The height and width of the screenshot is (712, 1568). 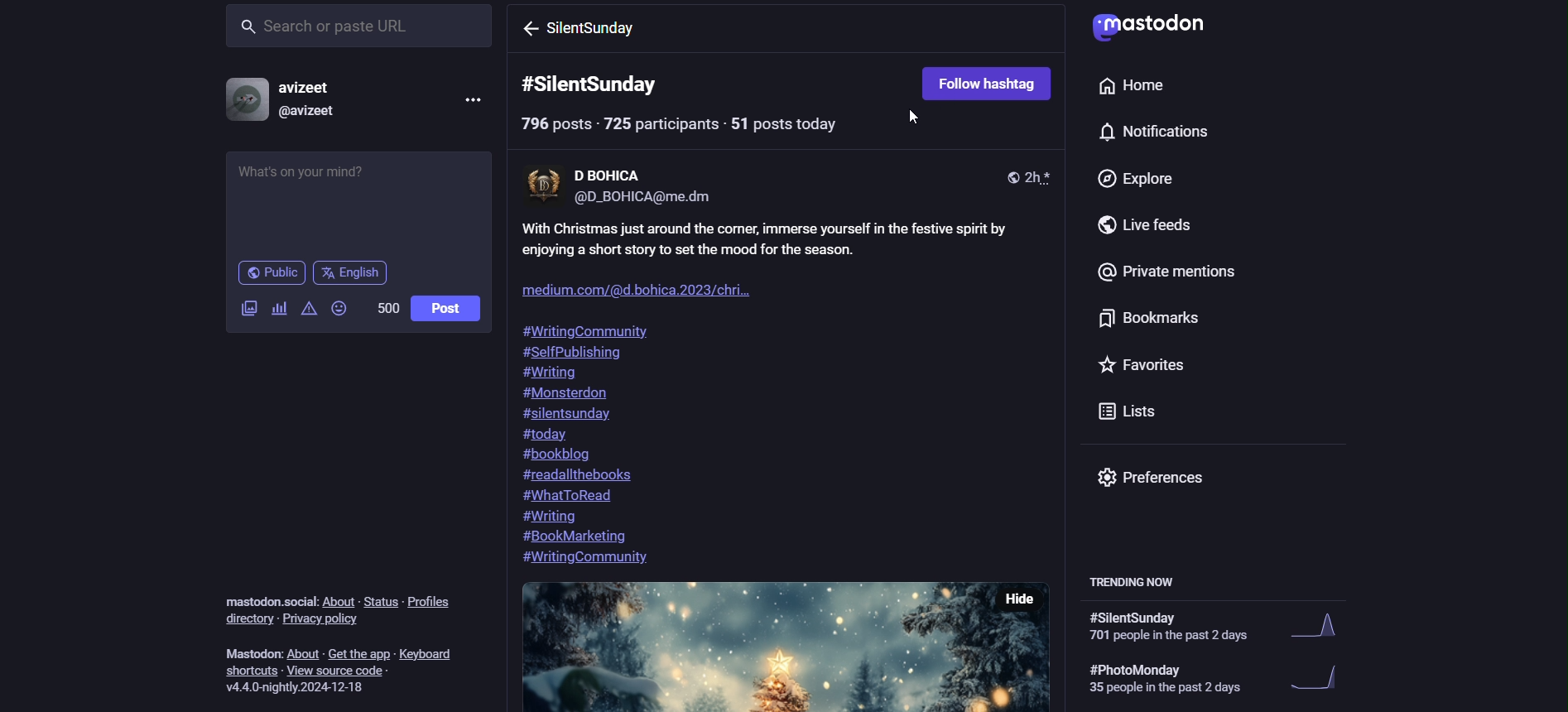 I want to click on HIDE, so click(x=1022, y=599).